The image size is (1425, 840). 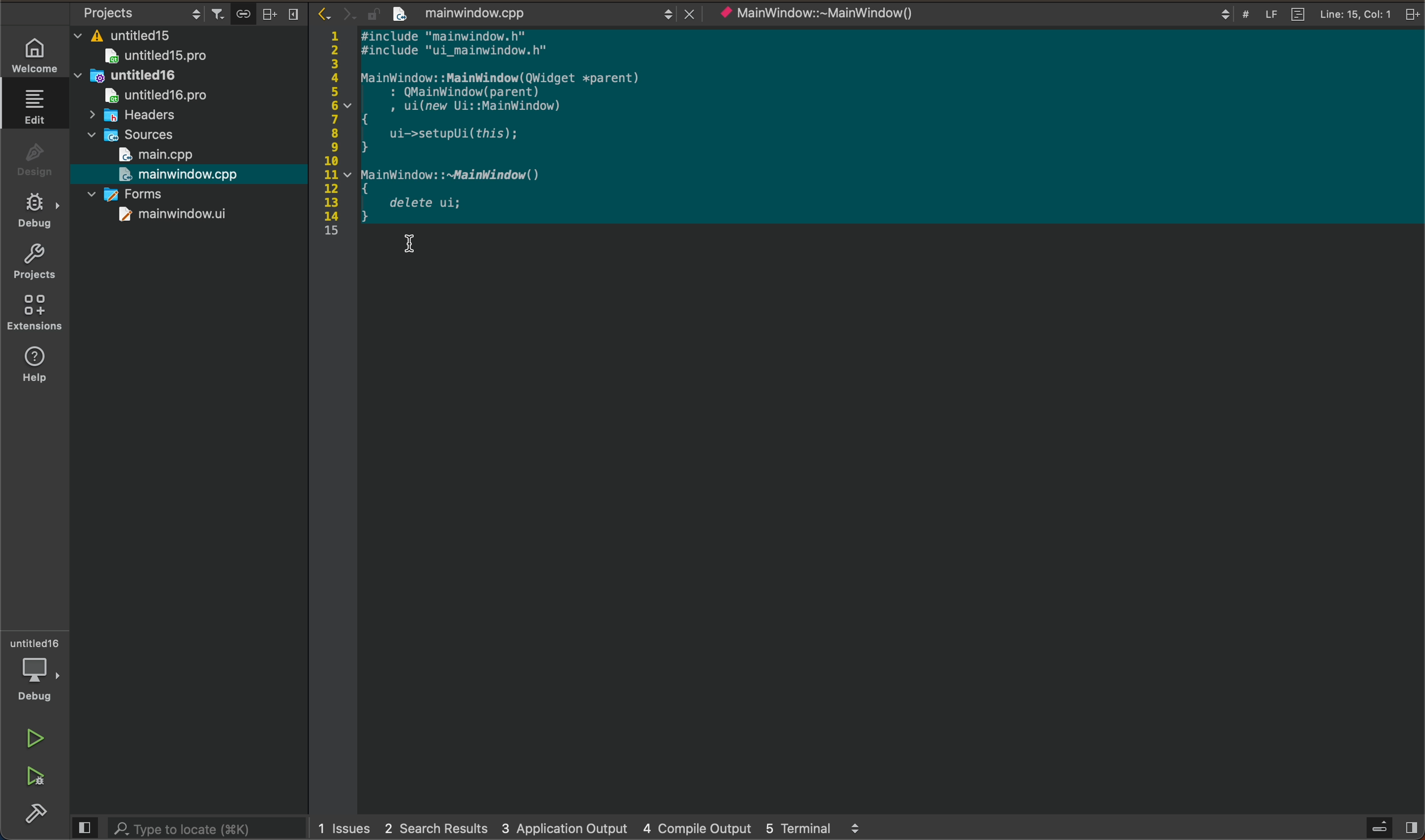 I want to click on split tab, so click(x=1413, y=14).